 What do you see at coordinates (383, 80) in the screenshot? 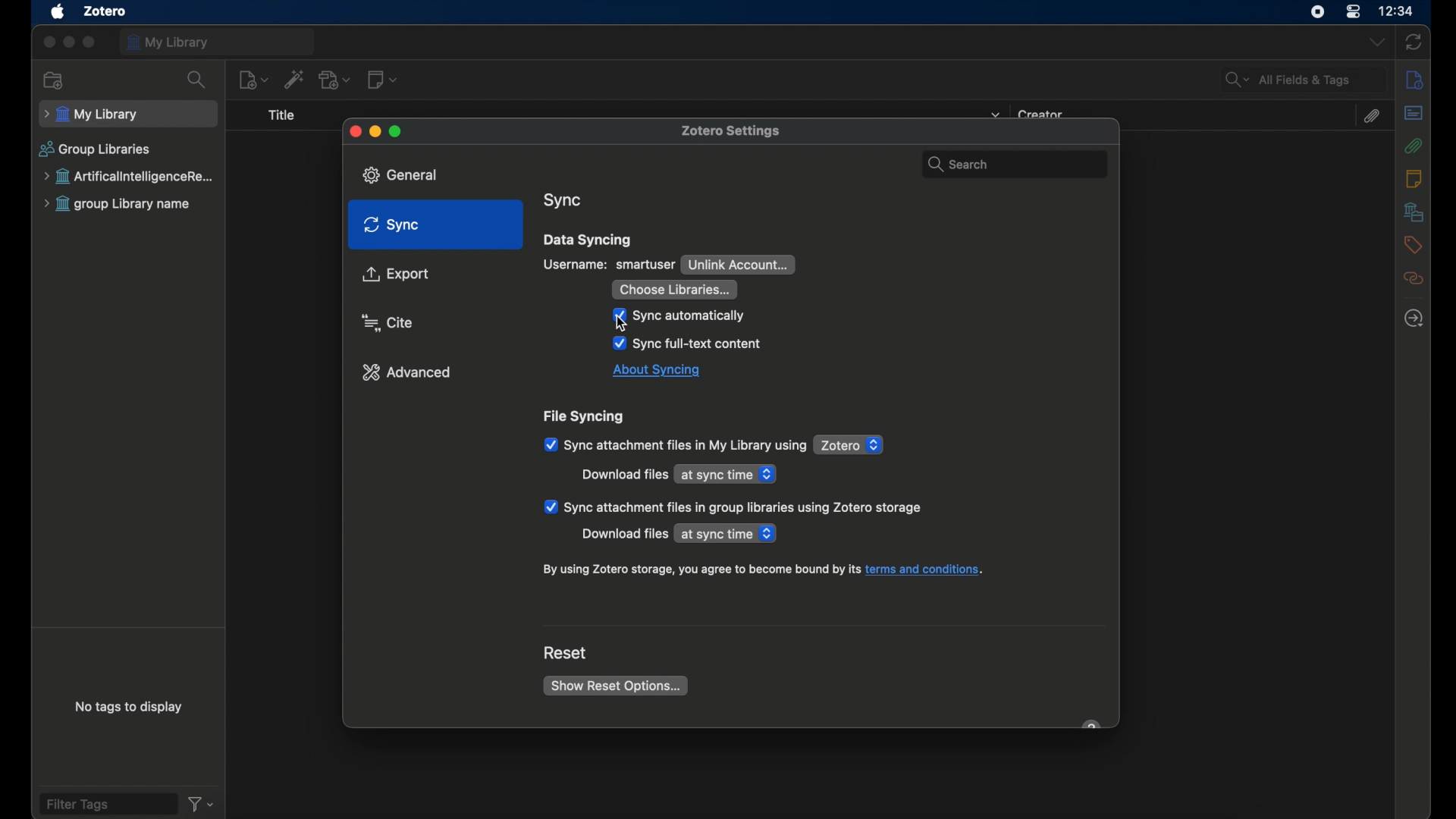
I see `new note` at bounding box center [383, 80].